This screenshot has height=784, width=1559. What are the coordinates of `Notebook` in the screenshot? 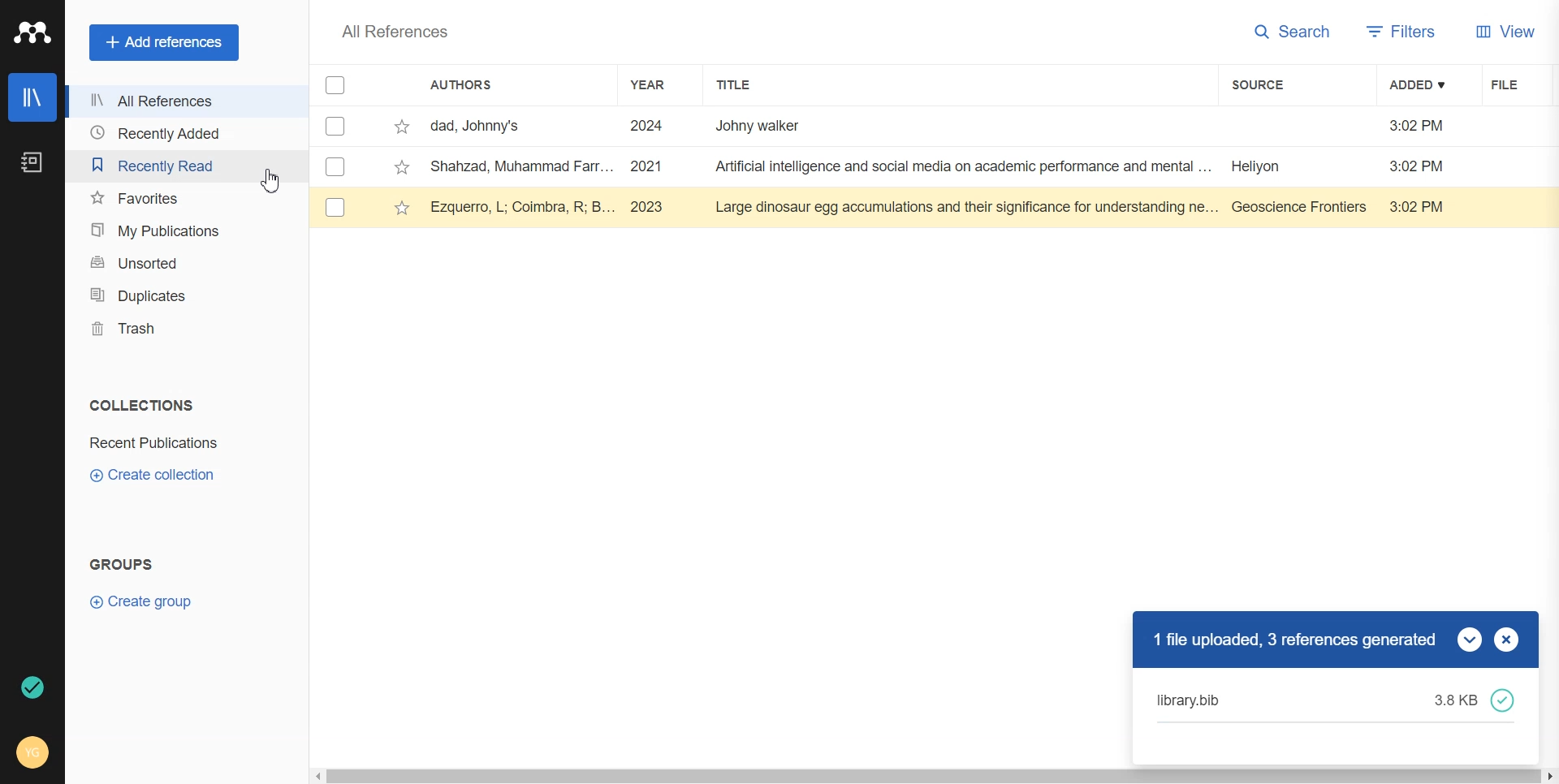 It's located at (34, 162).